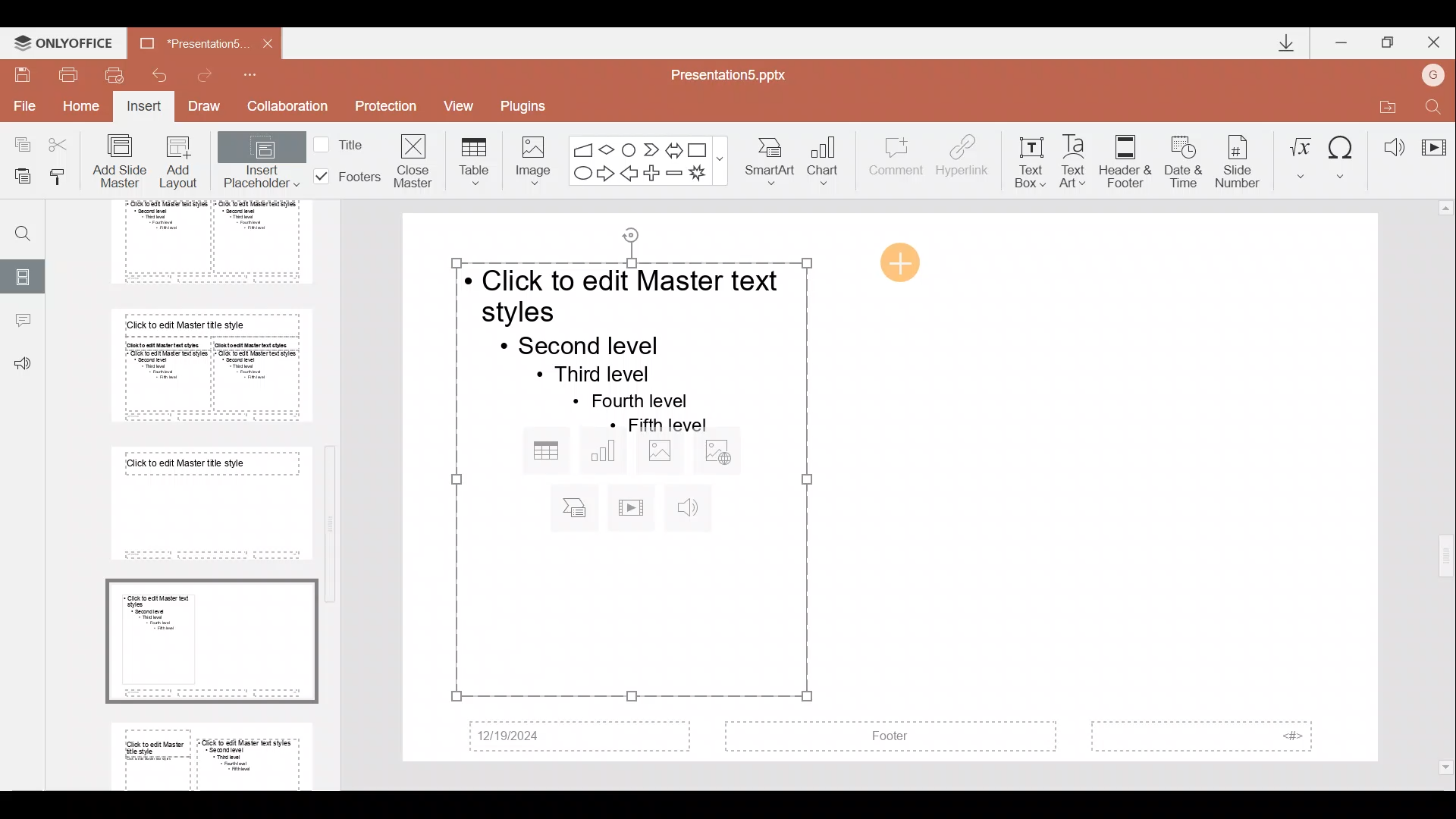 The width and height of the screenshot is (1456, 819). What do you see at coordinates (1388, 143) in the screenshot?
I see `Audio` at bounding box center [1388, 143].